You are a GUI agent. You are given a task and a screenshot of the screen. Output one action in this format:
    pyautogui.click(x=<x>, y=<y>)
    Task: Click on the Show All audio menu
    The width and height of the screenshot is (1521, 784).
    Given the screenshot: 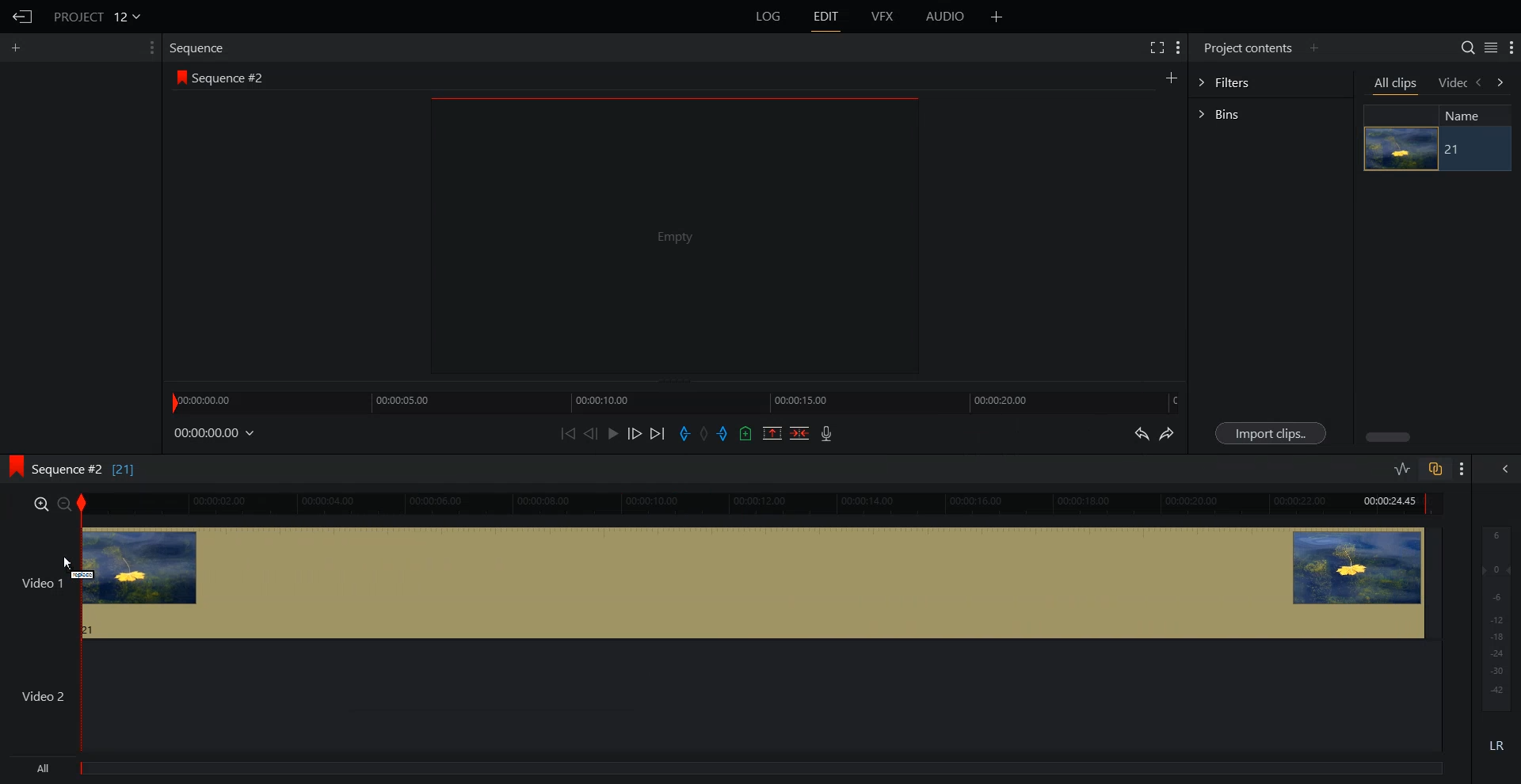 What is the action you would take?
    pyautogui.click(x=1504, y=469)
    